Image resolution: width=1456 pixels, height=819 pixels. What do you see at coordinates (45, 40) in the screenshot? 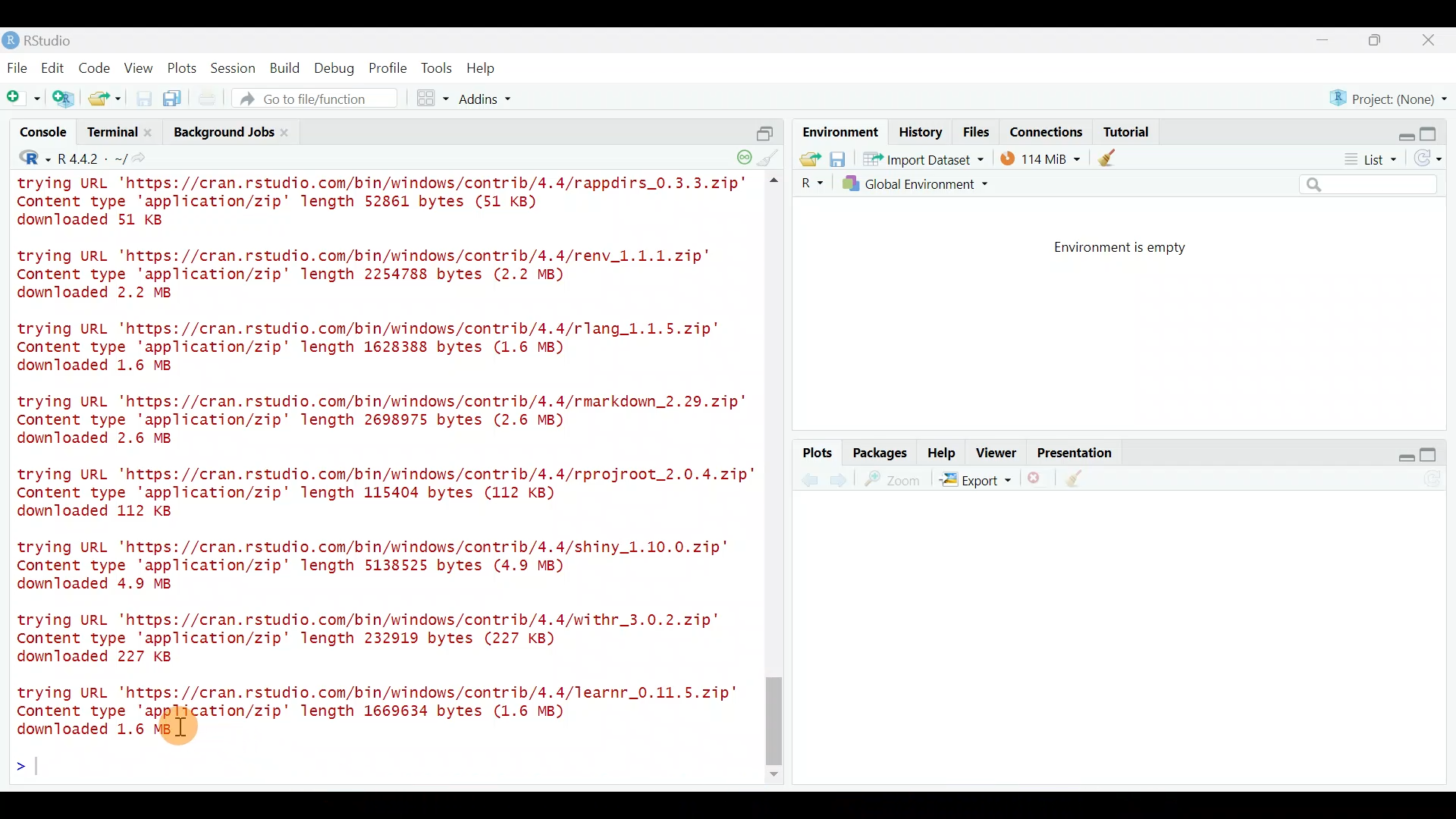
I see `RStudio` at bounding box center [45, 40].